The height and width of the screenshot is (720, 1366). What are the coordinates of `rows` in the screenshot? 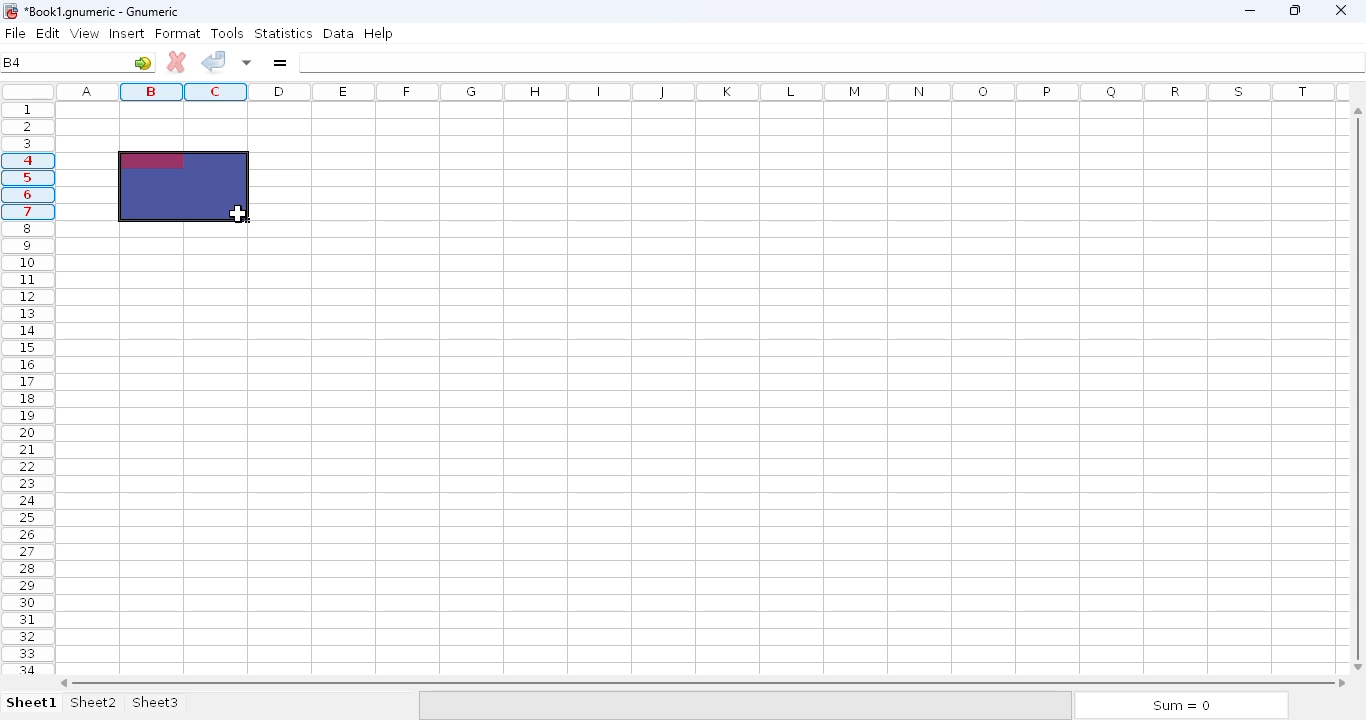 It's located at (26, 387).